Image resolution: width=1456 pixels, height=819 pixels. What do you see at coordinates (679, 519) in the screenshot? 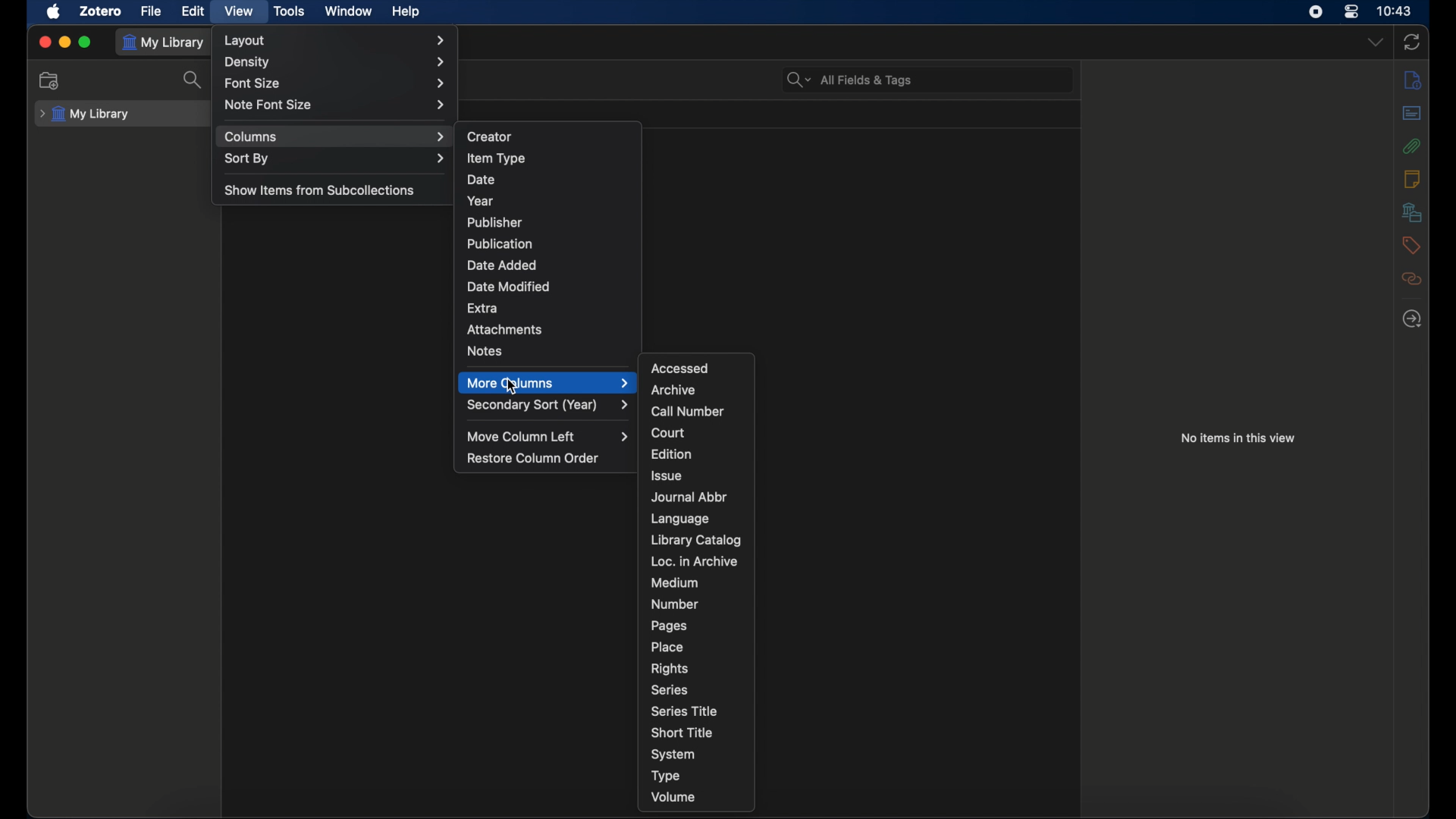
I see `language` at bounding box center [679, 519].